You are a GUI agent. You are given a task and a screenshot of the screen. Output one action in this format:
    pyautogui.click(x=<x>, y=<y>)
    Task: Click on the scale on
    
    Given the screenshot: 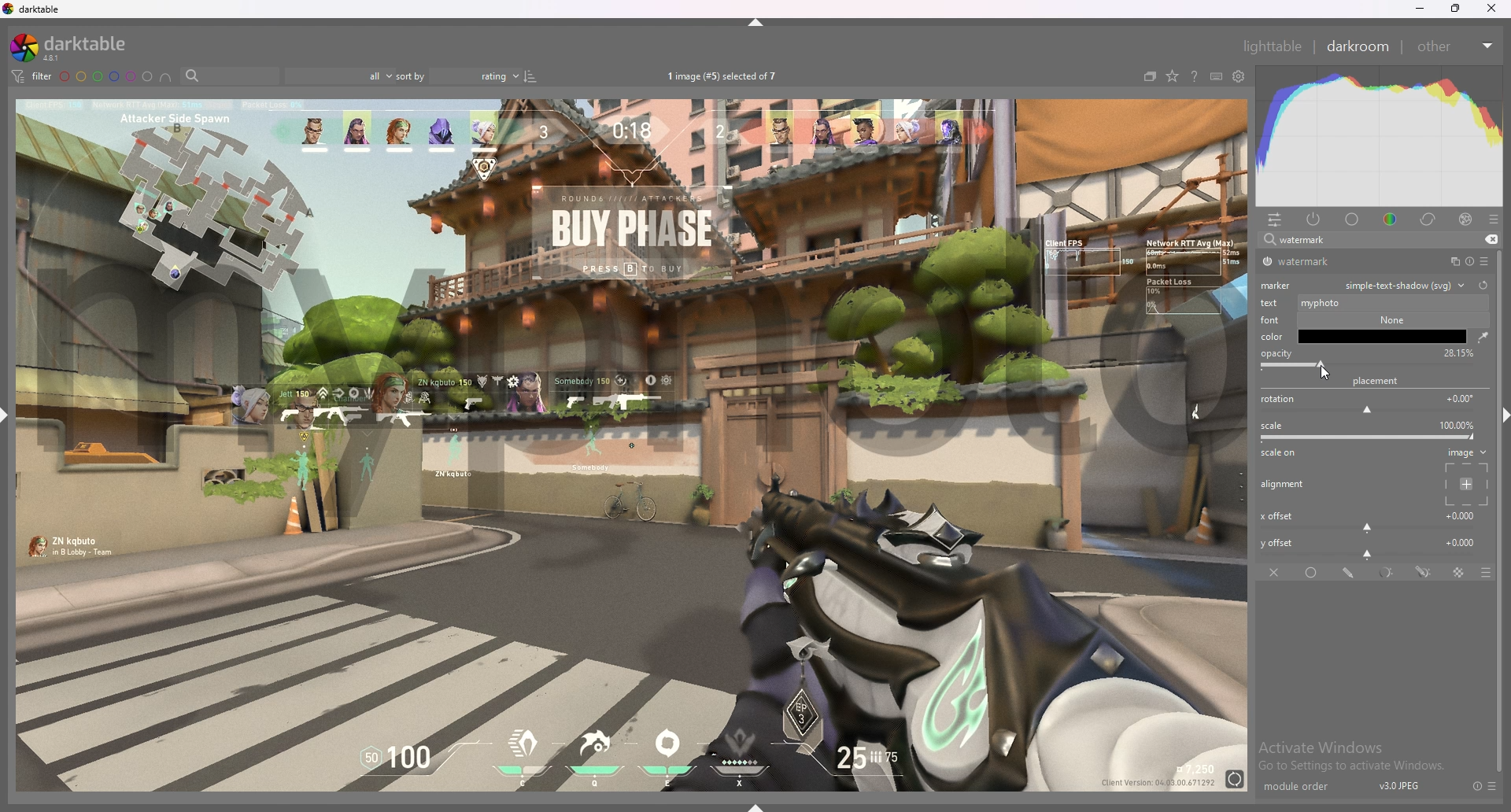 What is the action you would take?
    pyautogui.click(x=1283, y=454)
    